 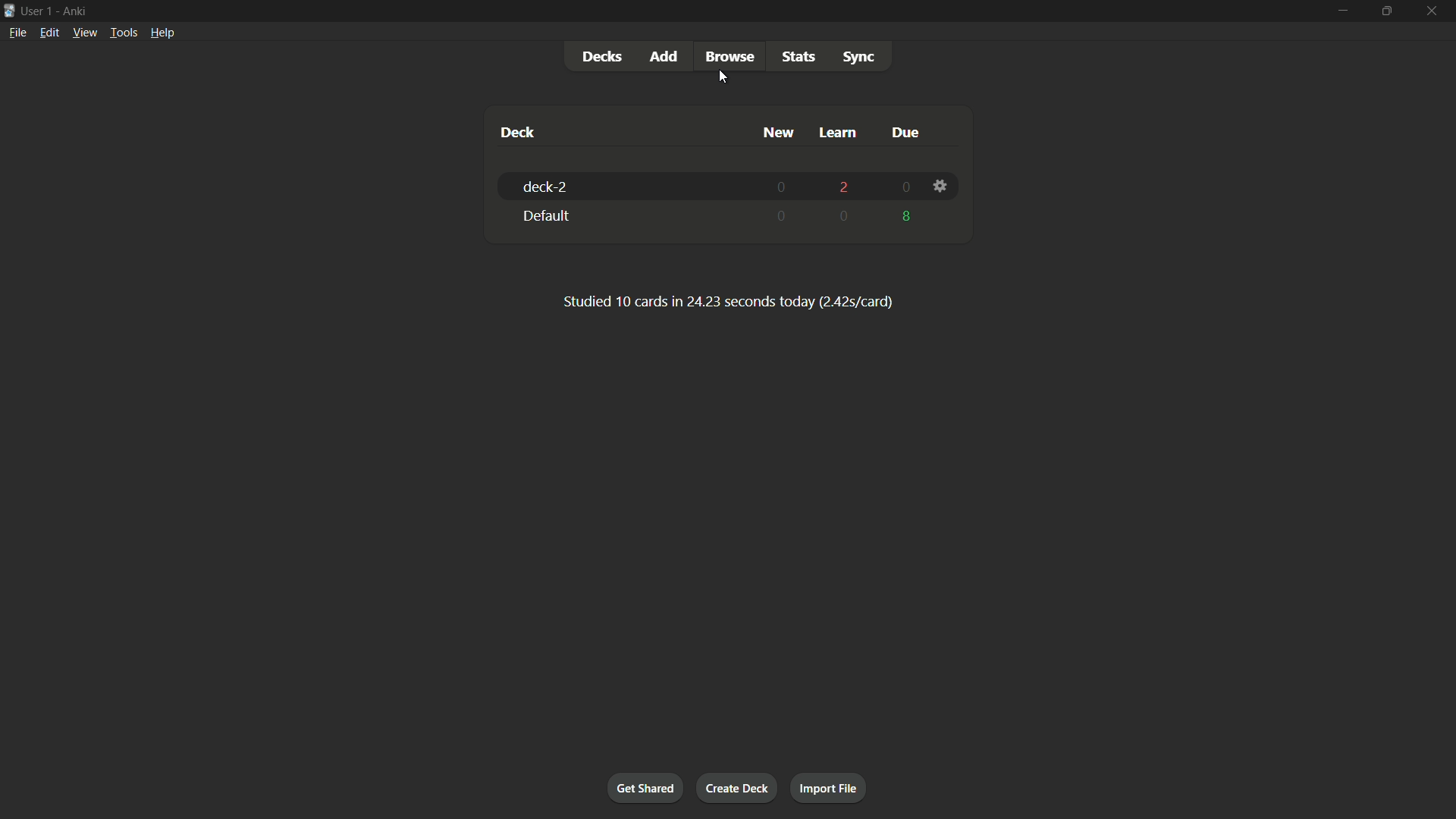 I want to click on Deck, so click(x=519, y=132).